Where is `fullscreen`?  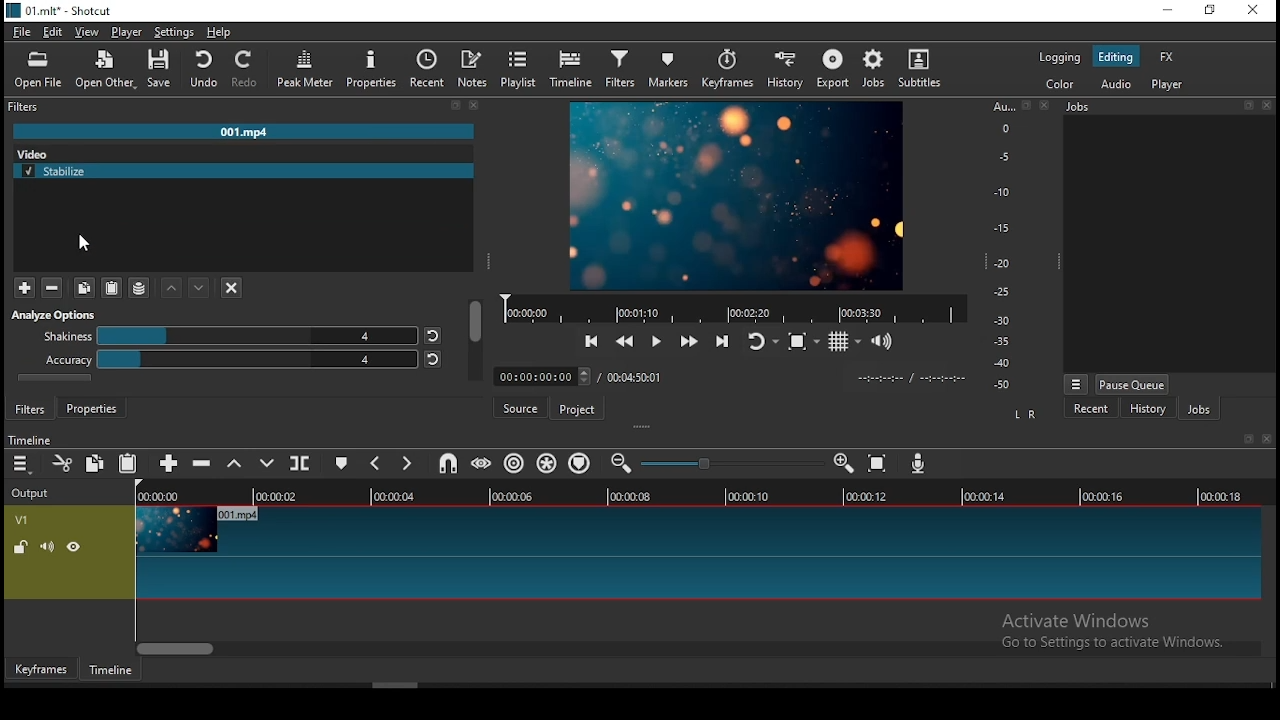
fullscreen is located at coordinates (1027, 106).